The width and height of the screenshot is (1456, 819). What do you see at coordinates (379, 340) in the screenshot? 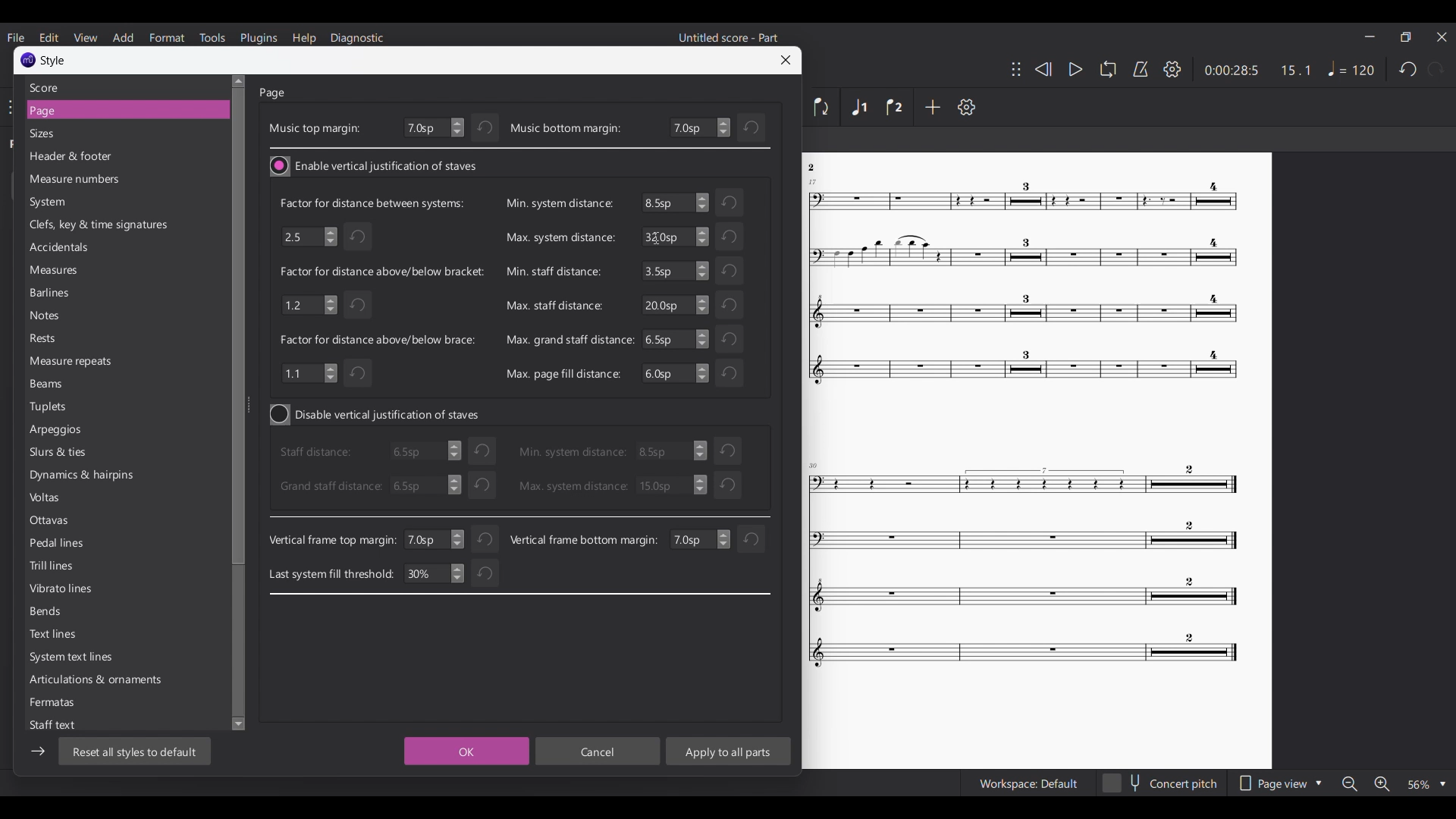
I see `Indicates factor for distance above/below brace` at bounding box center [379, 340].